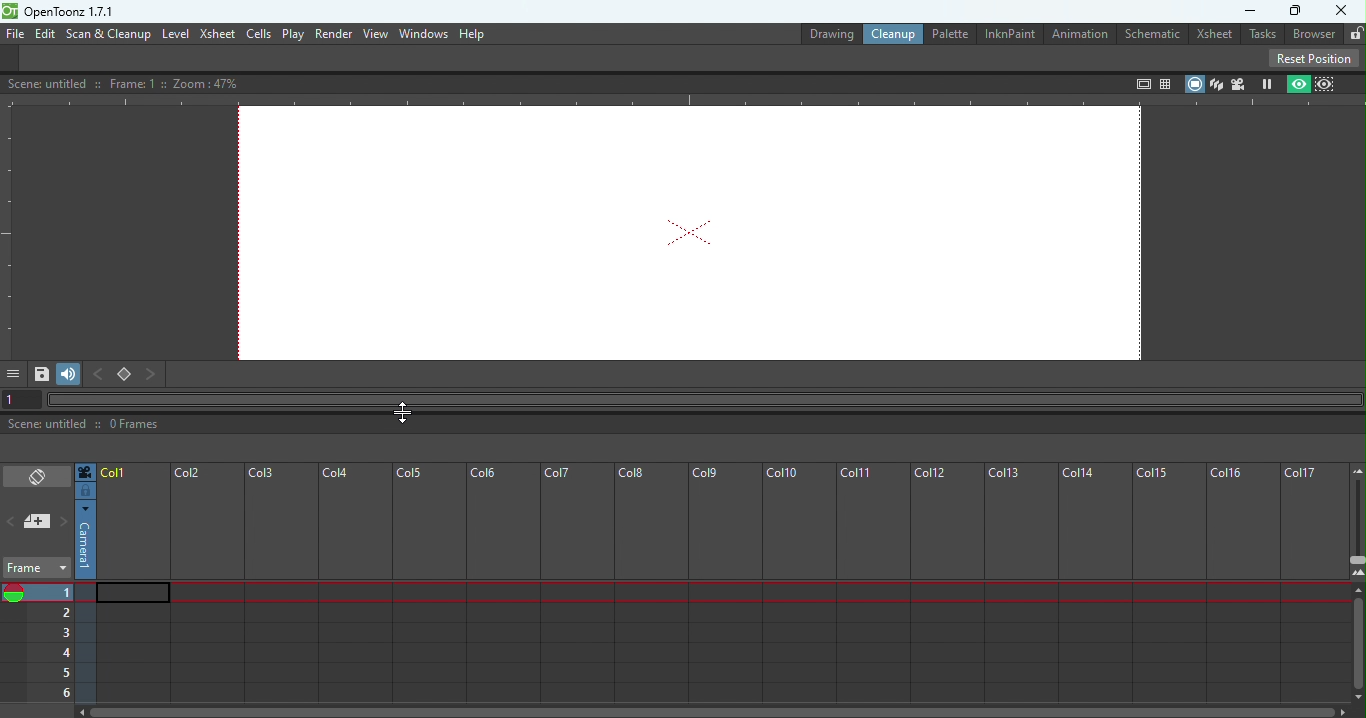  I want to click on Maximize, so click(1296, 11).